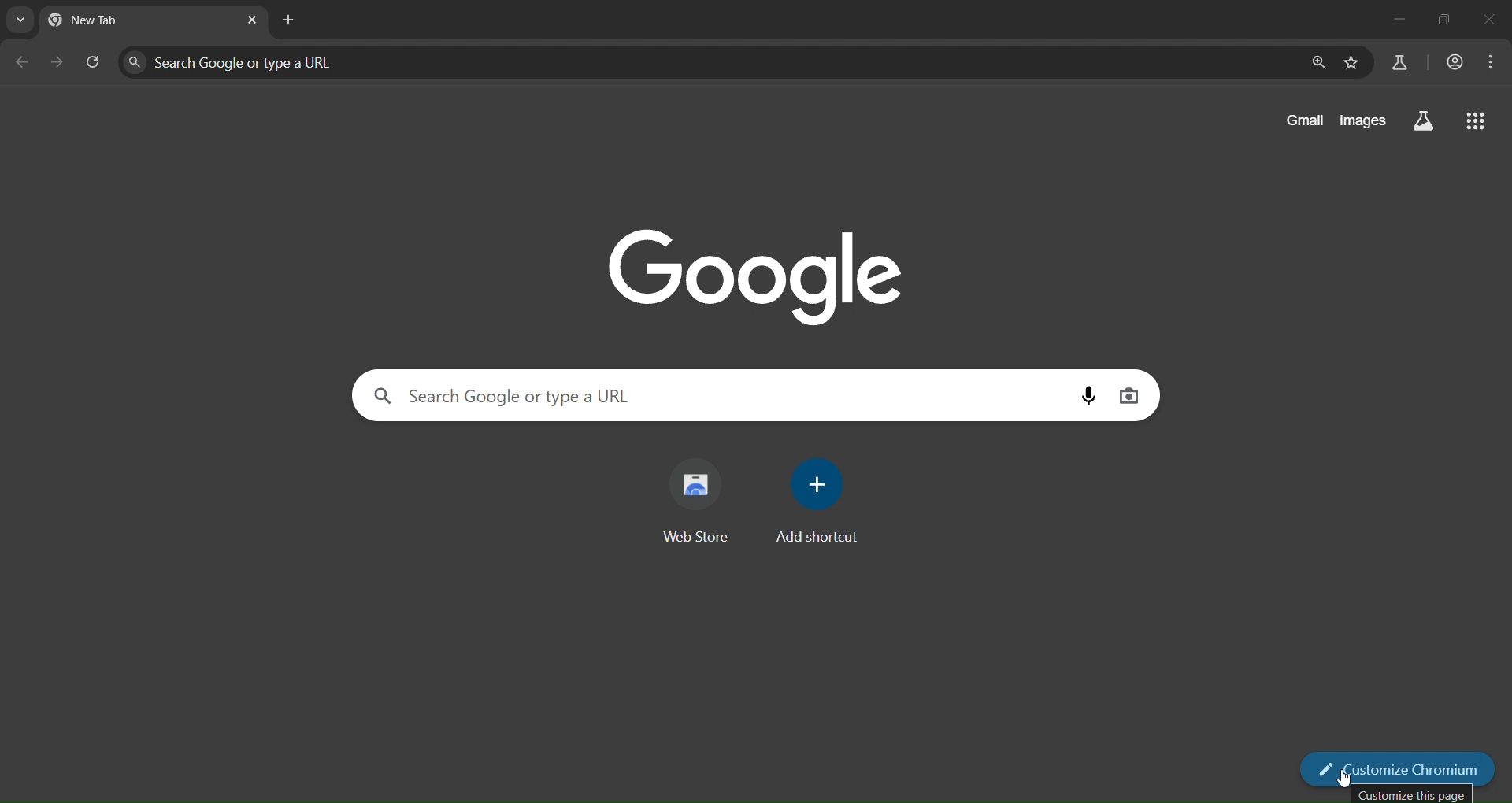  What do you see at coordinates (1399, 66) in the screenshot?
I see `search labs` at bounding box center [1399, 66].